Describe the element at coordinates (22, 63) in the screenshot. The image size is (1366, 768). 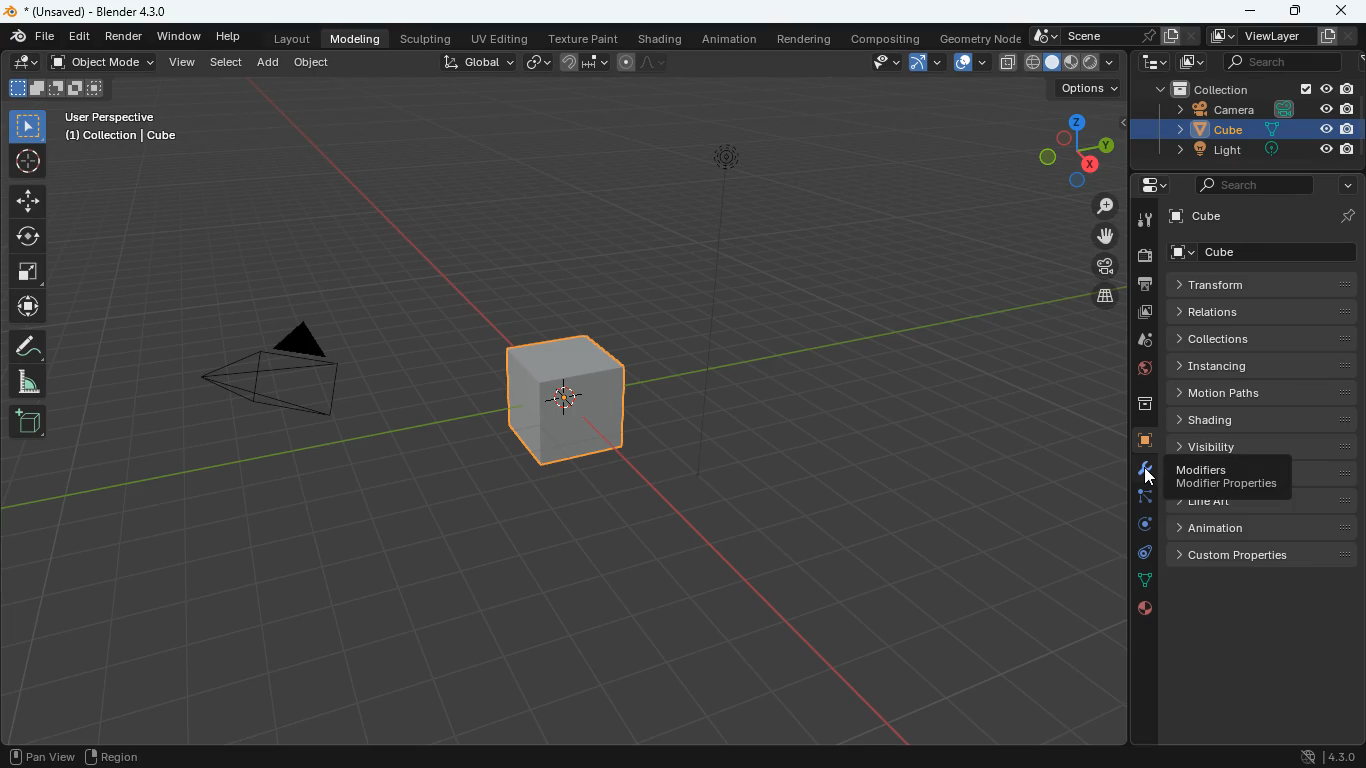
I see `edit` at that location.